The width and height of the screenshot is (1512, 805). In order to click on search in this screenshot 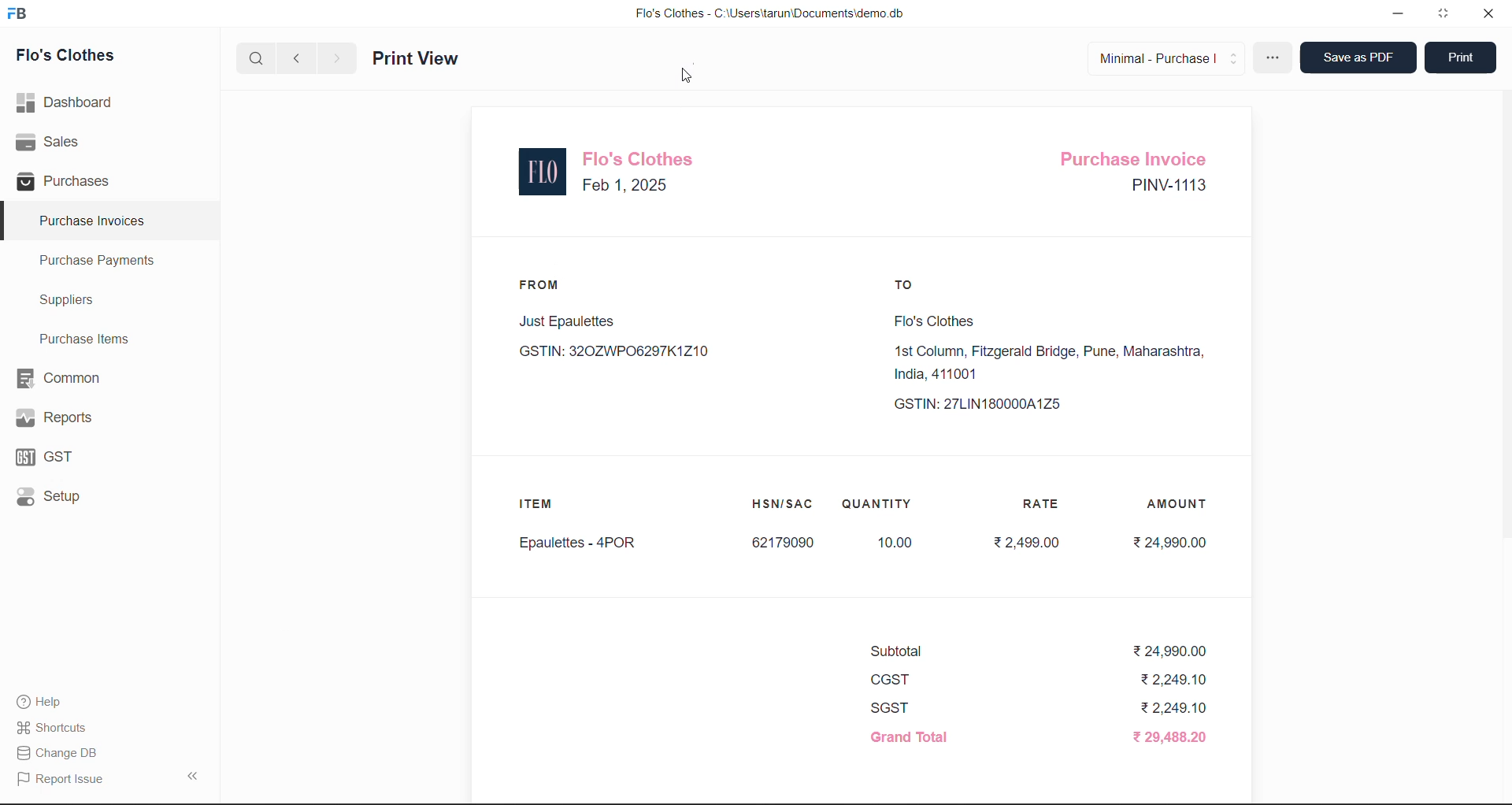, I will do `click(258, 58)`.